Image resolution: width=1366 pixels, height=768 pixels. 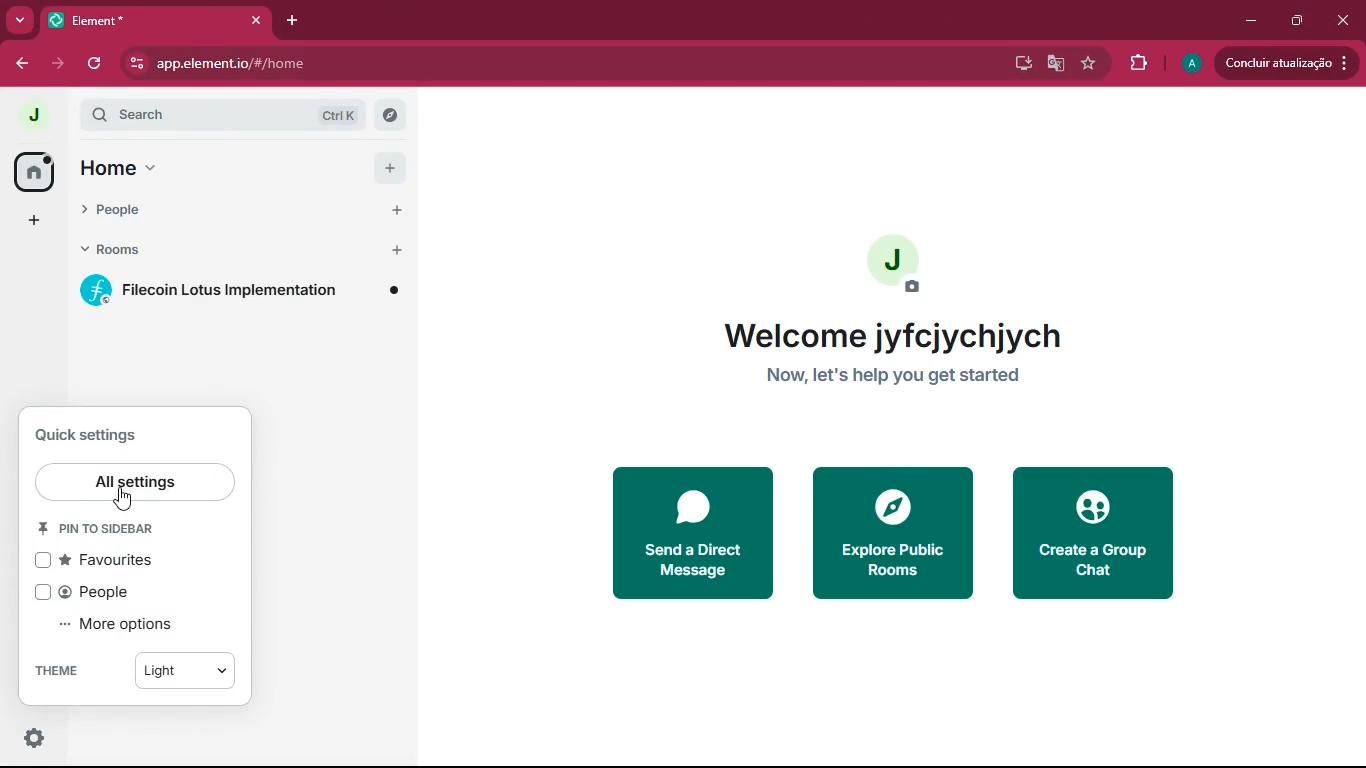 What do you see at coordinates (61, 65) in the screenshot?
I see `forward` at bounding box center [61, 65].